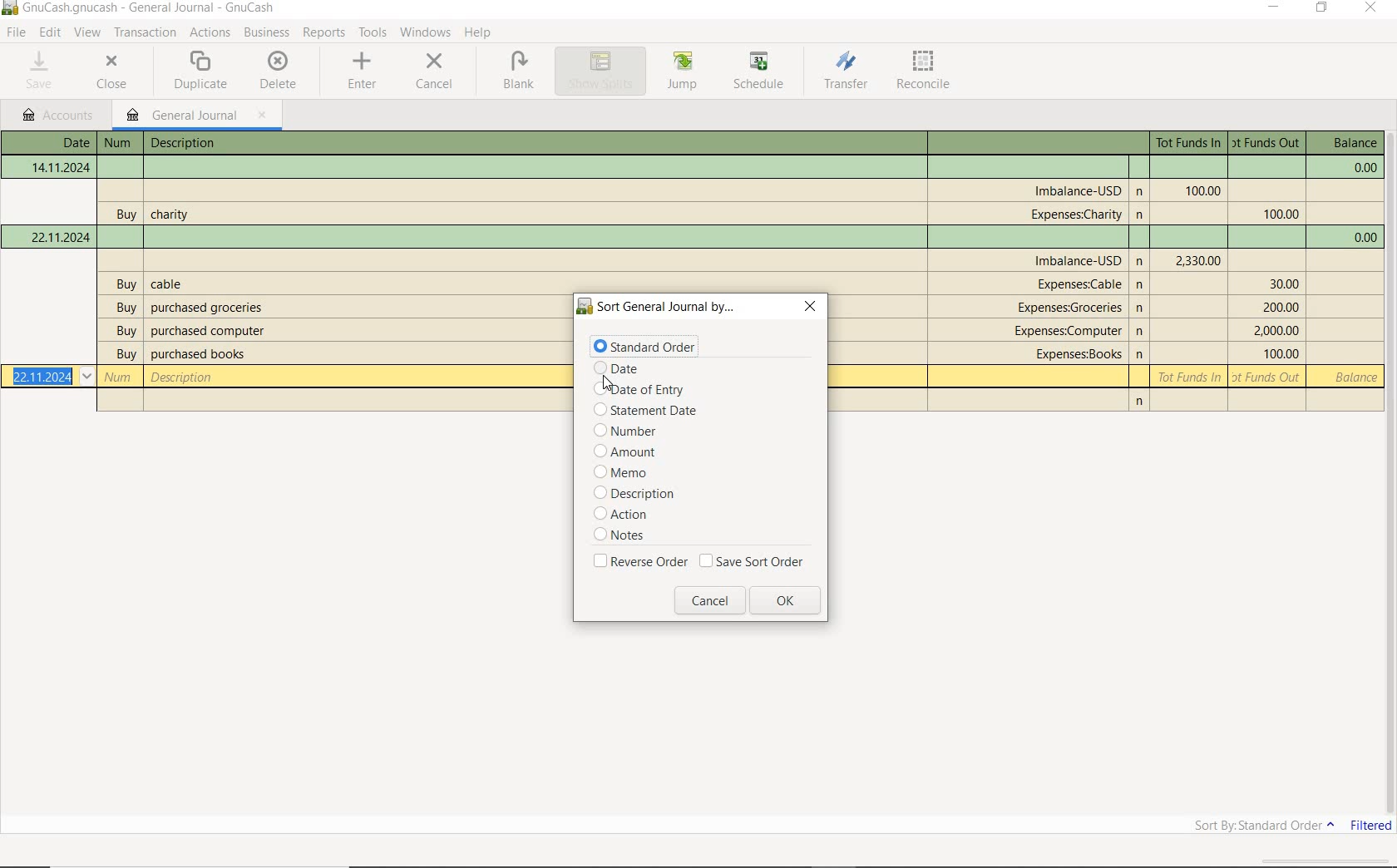 This screenshot has width=1397, height=868. What do you see at coordinates (659, 307) in the screenshot?
I see `sort general journal by` at bounding box center [659, 307].